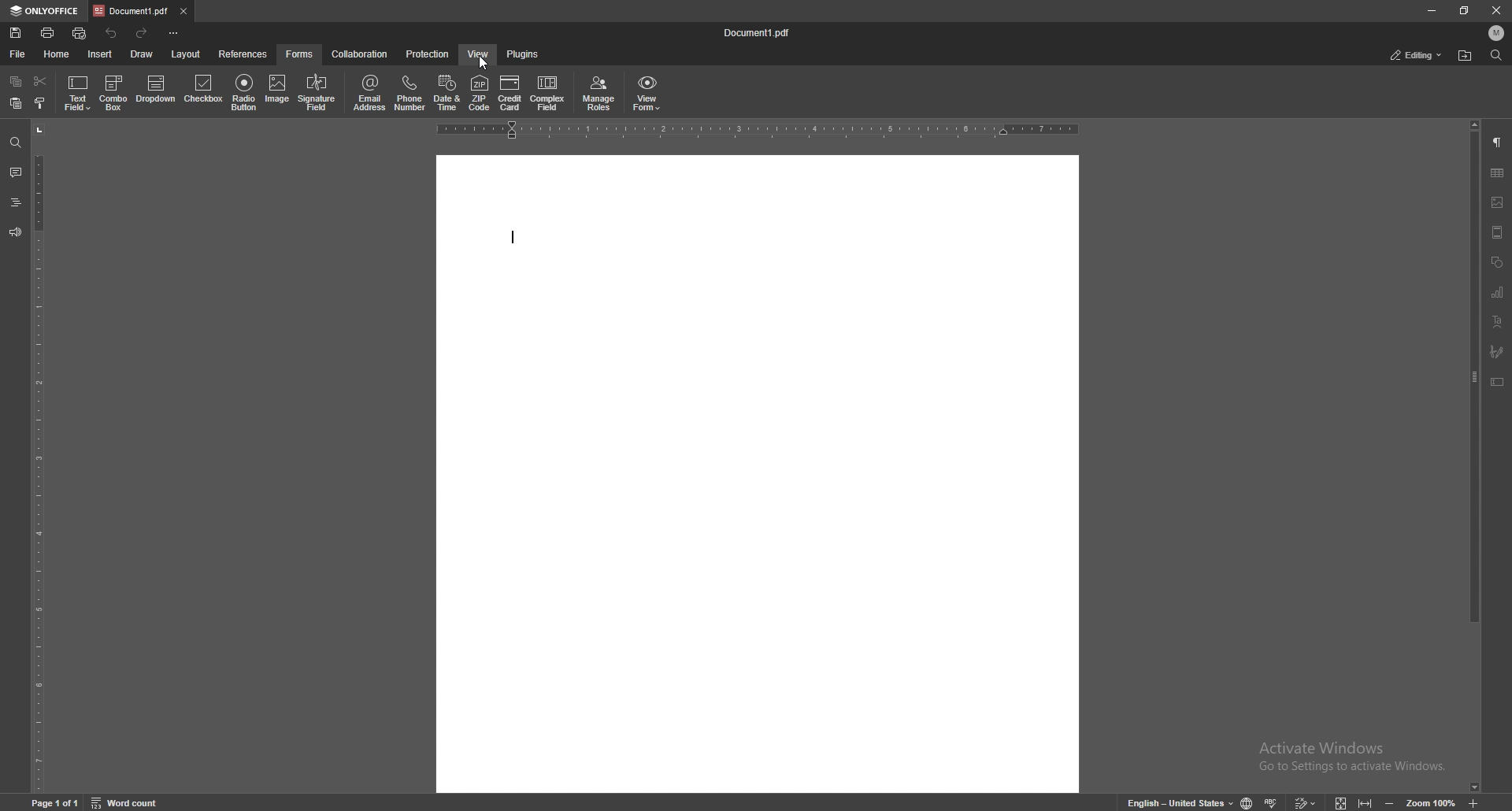 This screenshot has height=811, width=1512. What do you see at coordinates (245, 92) in the screenshot?
I see `radio button` at bounding box center [245, 92].